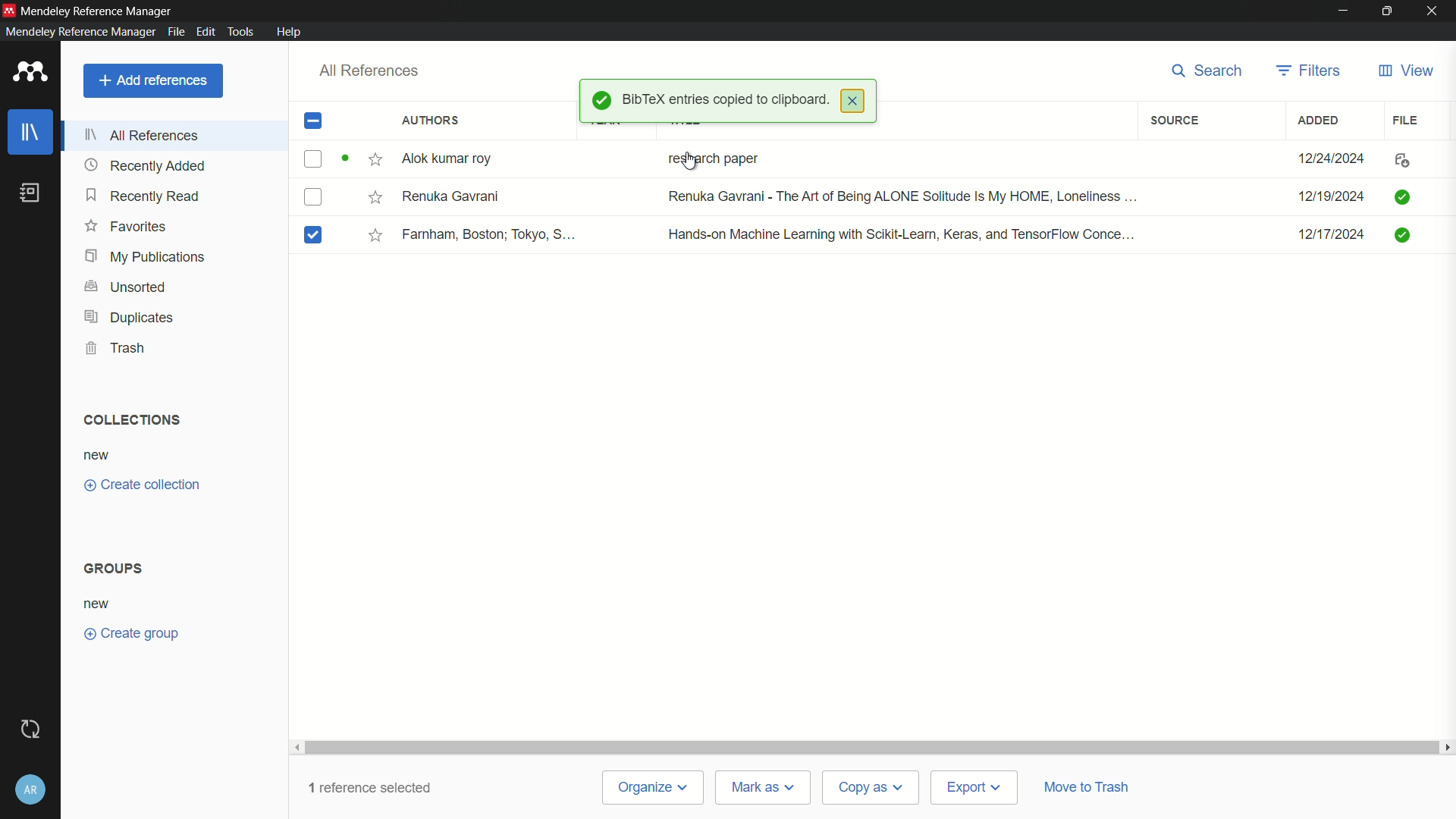 The width and height of the screenshot is (1456, 819). What do you see at coordinates (711, 156) in the screenshot?
I see `research paper` at bounding box center [711, 156].